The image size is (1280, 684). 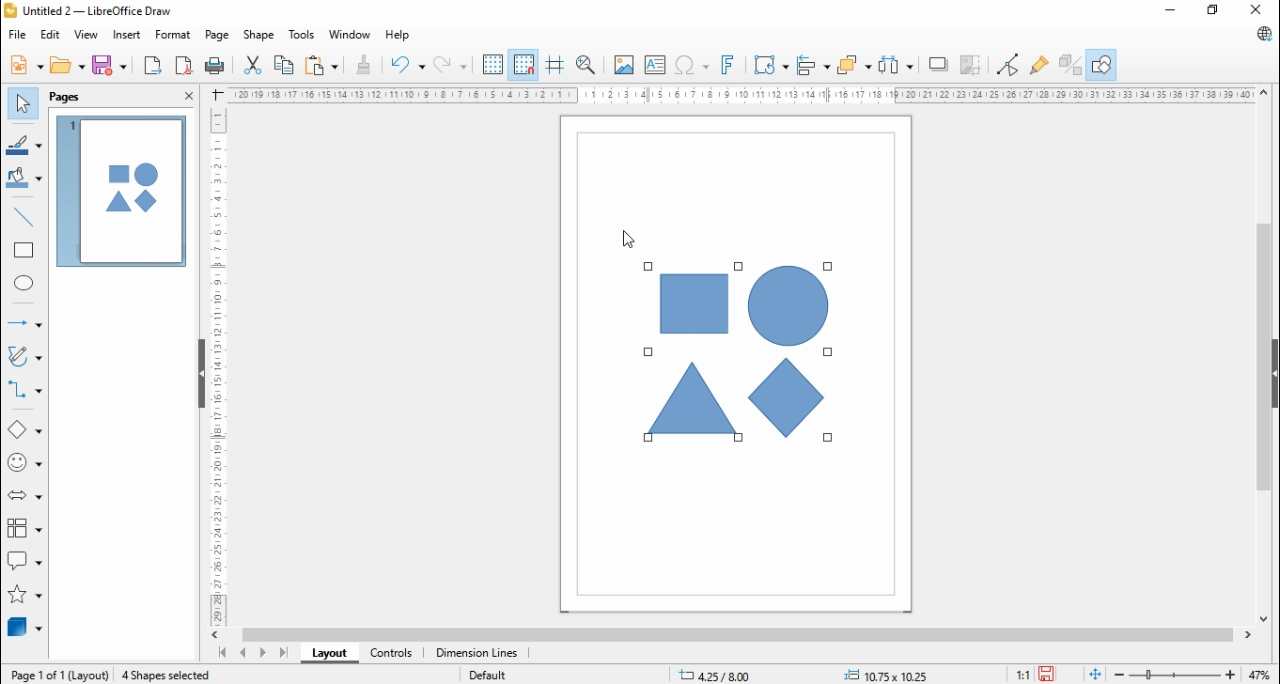 I want to click on shadow, so click(x=936, y=64).